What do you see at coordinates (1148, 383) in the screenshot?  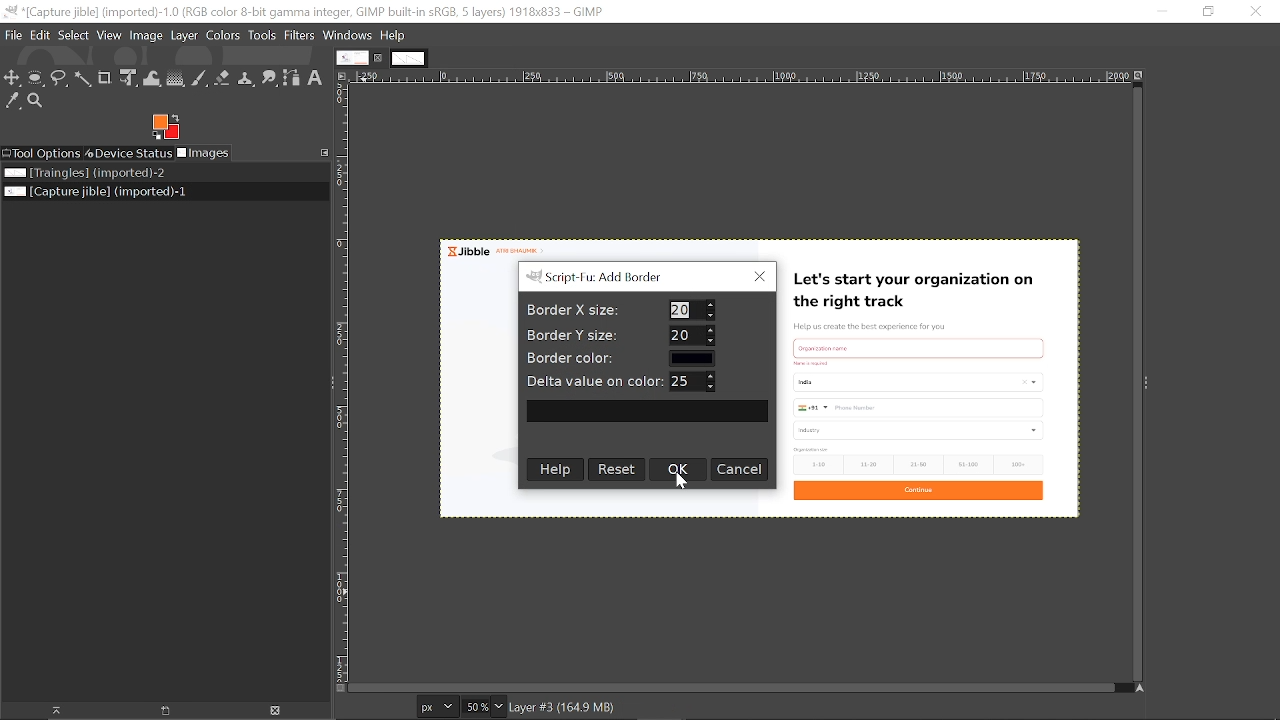 I see `Sidebar menu` at bounding box center [1148, 383].